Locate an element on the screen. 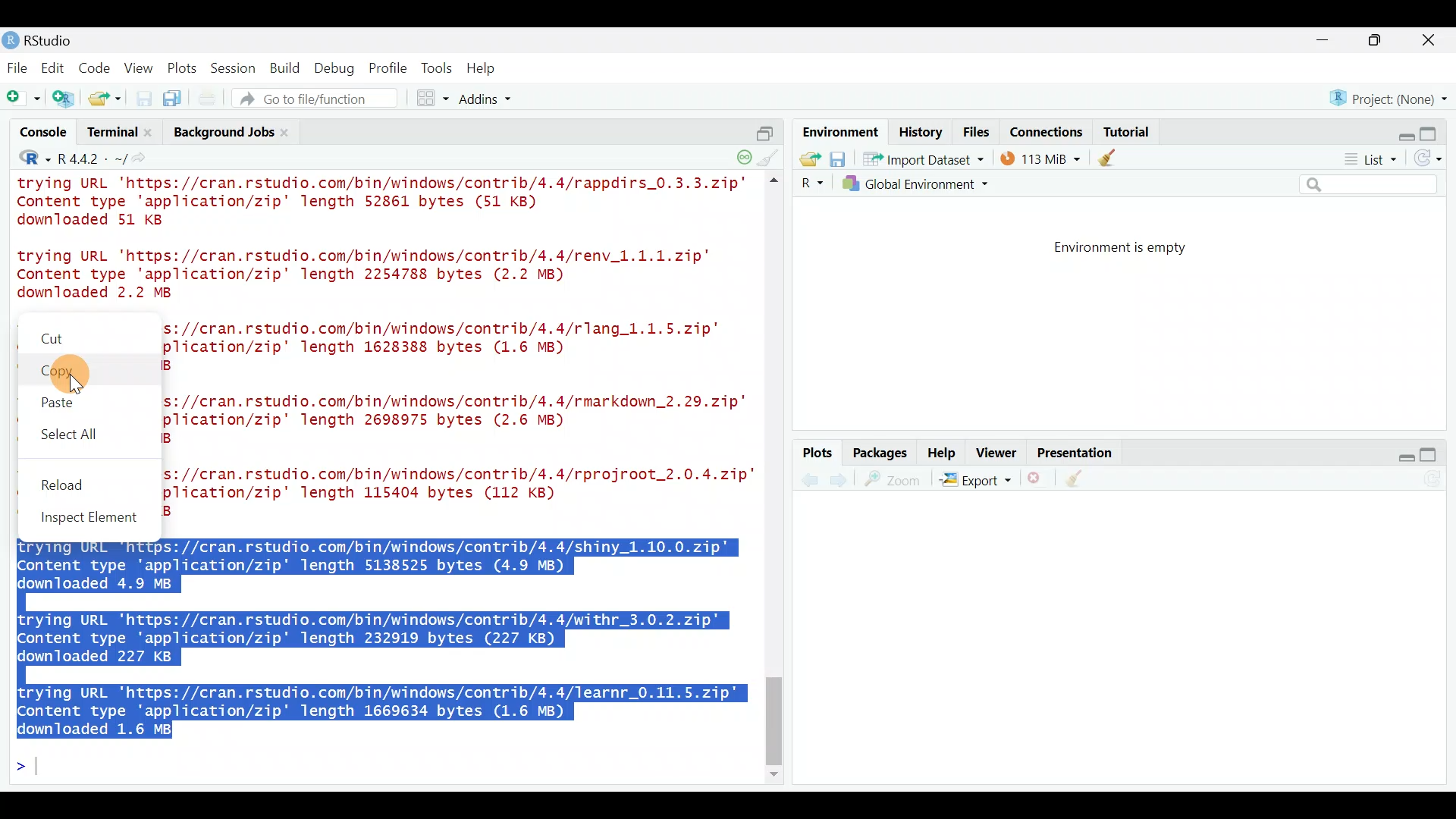 The height and width of the screenshot is (819, 1456). Tutorial is located at coordinates (1125, 129).